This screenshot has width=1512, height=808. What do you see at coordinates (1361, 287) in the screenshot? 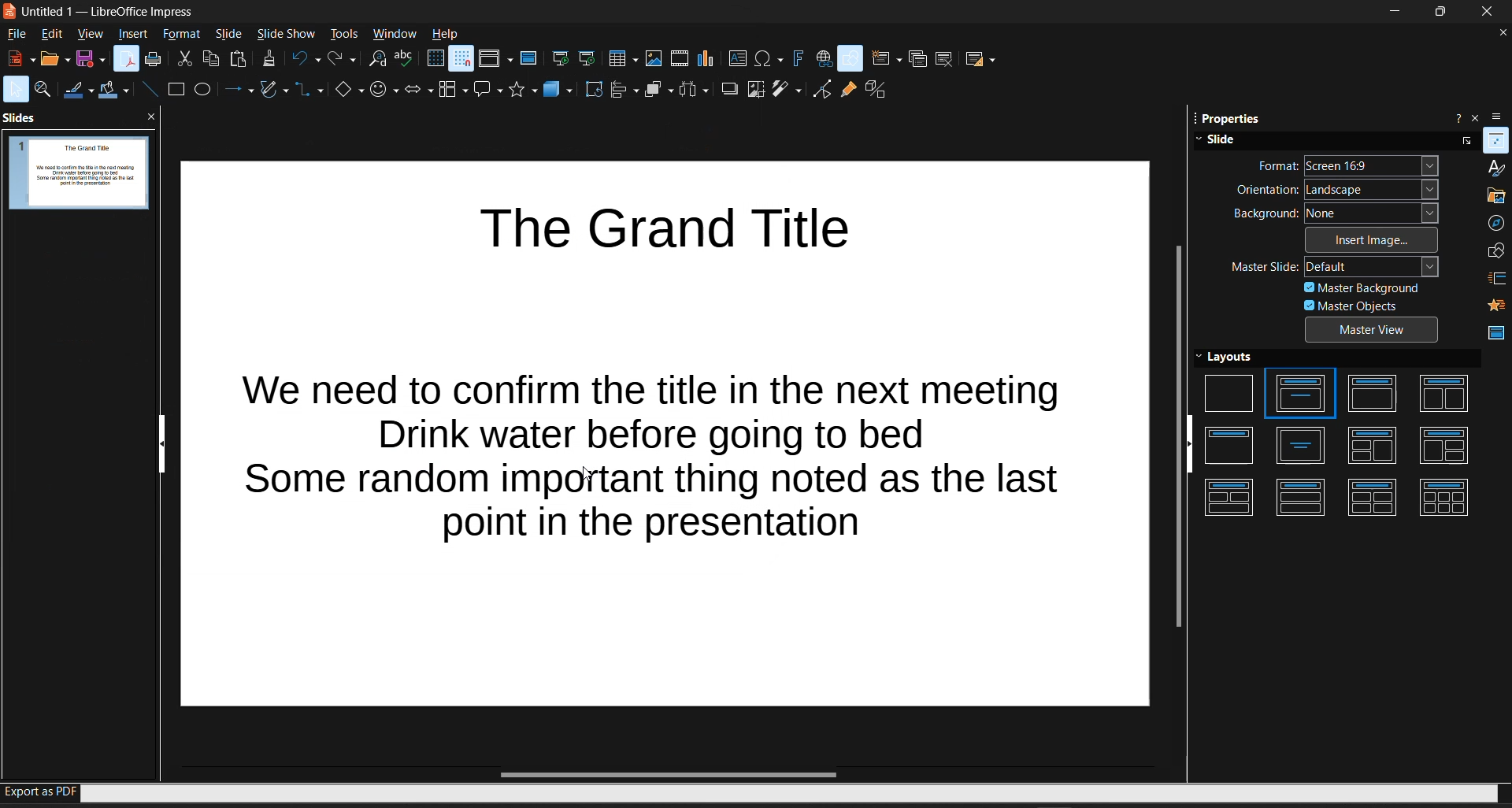
I see `master background` at bounding box center [1361, 287].